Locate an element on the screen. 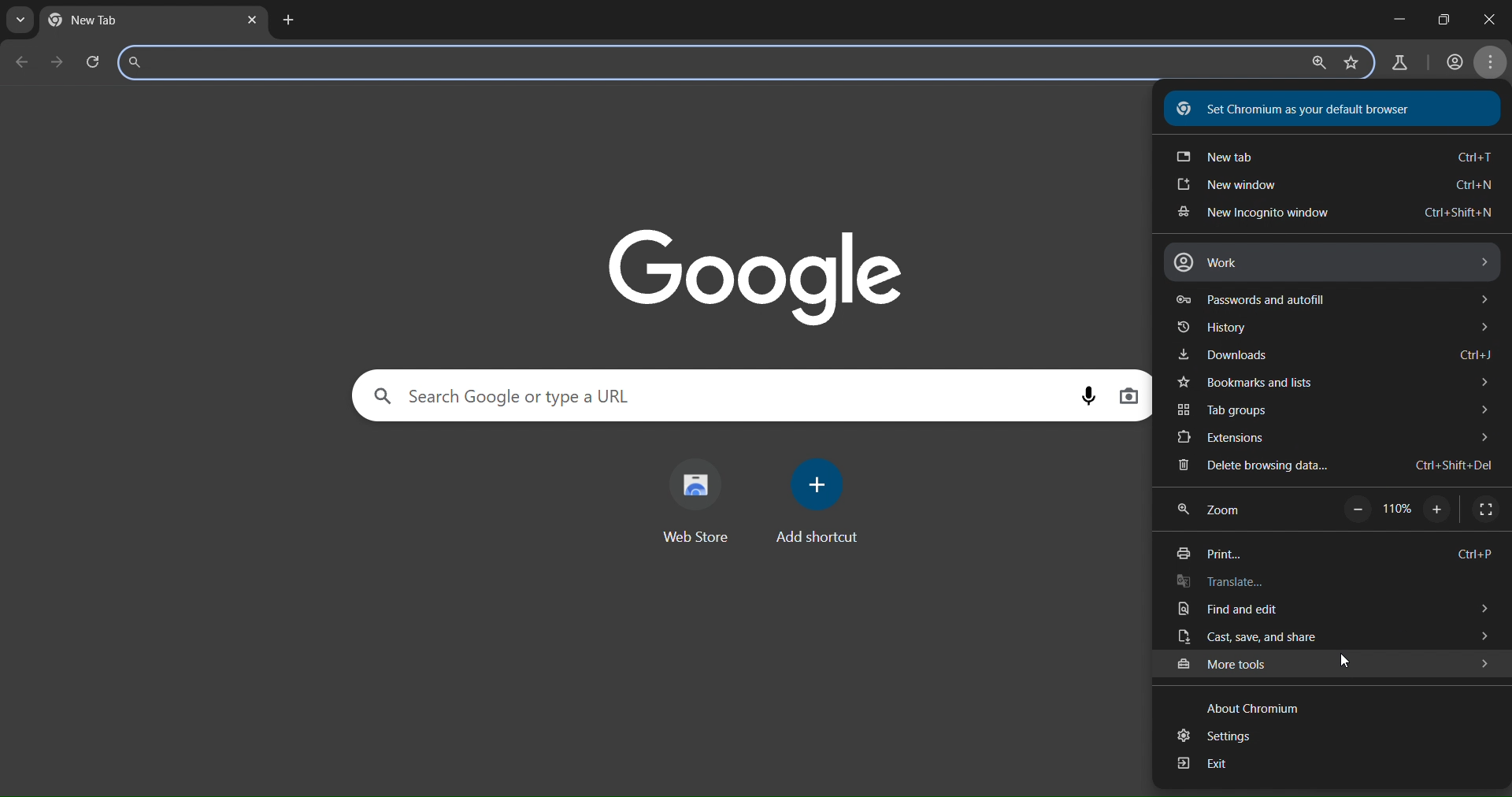  downloads Ctrl+J is located at coordinates (1333, 355).